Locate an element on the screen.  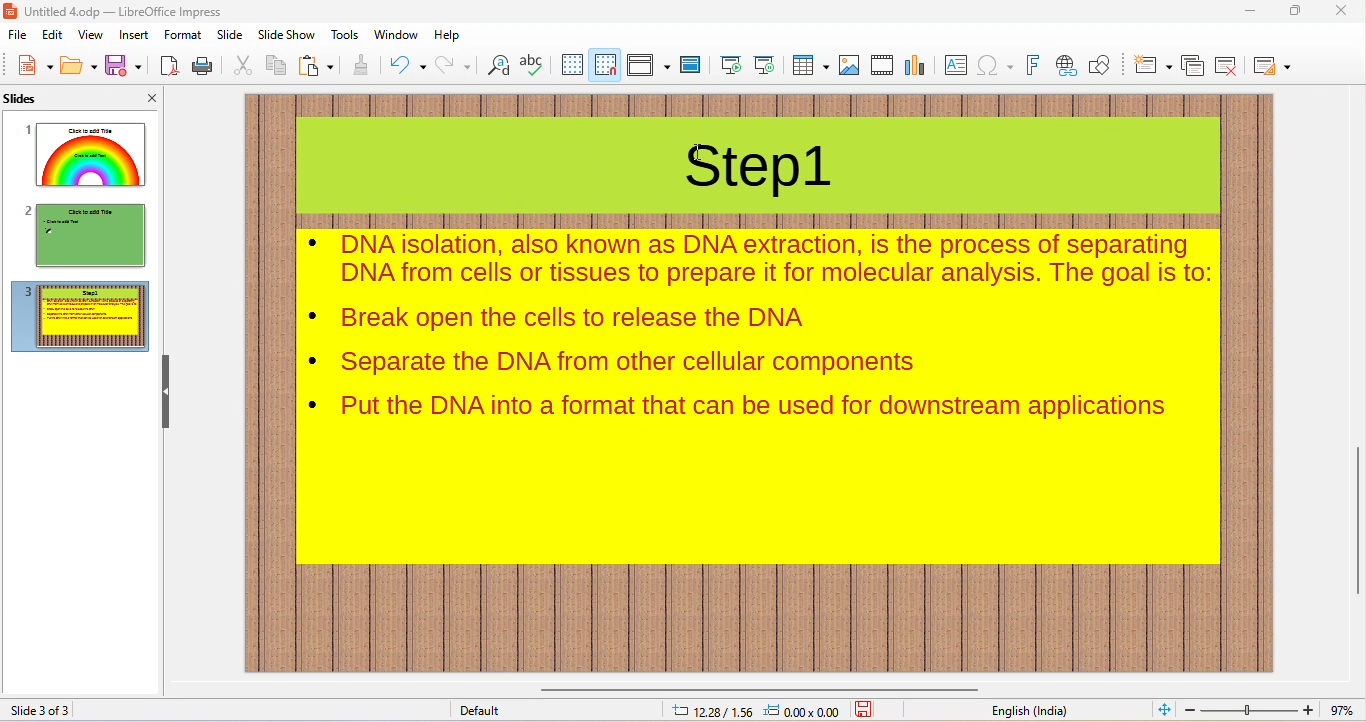
spelling is located at coordinates (534, 64).